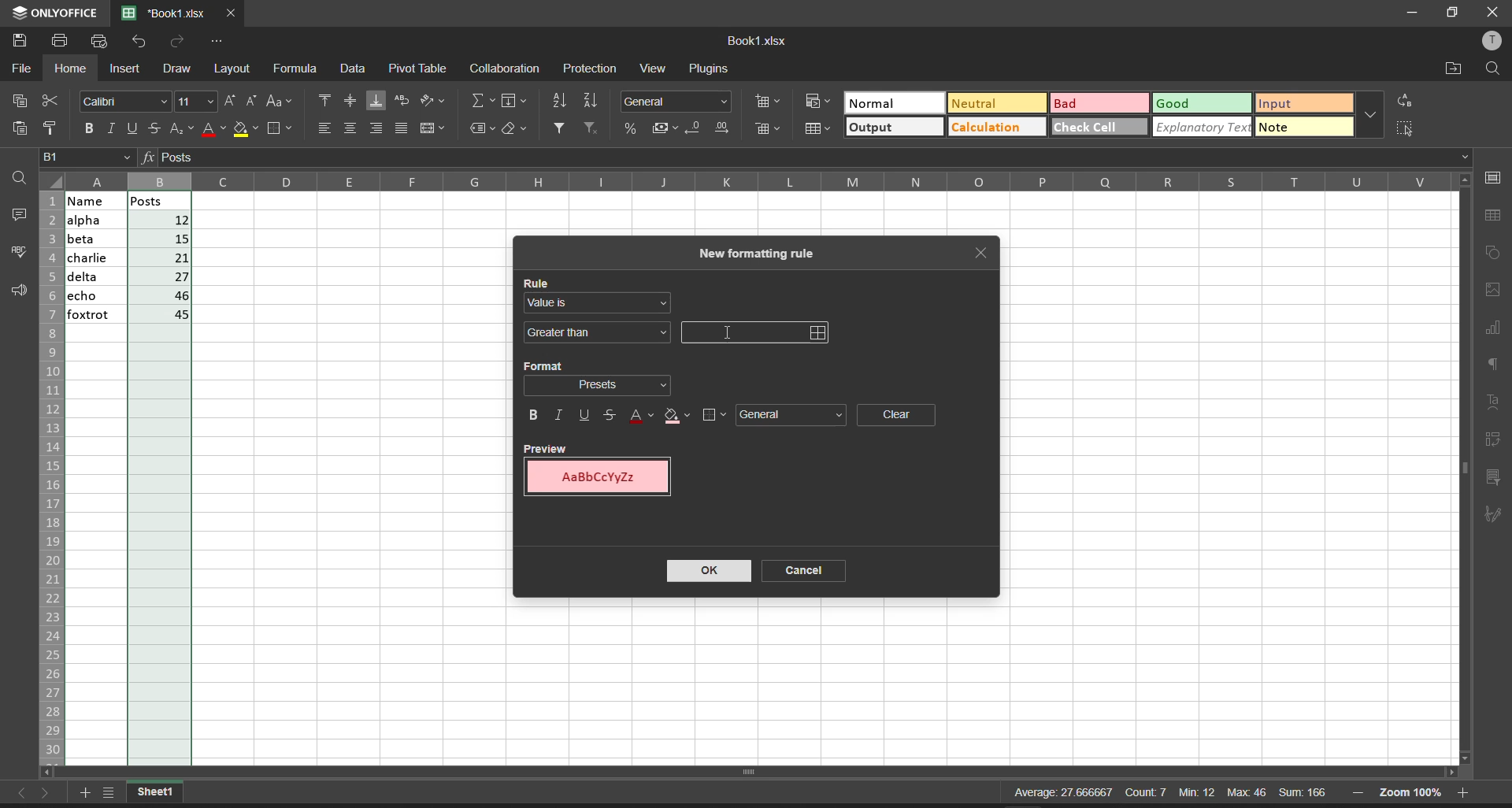  I want to click on maximize, so click(1454, 13).